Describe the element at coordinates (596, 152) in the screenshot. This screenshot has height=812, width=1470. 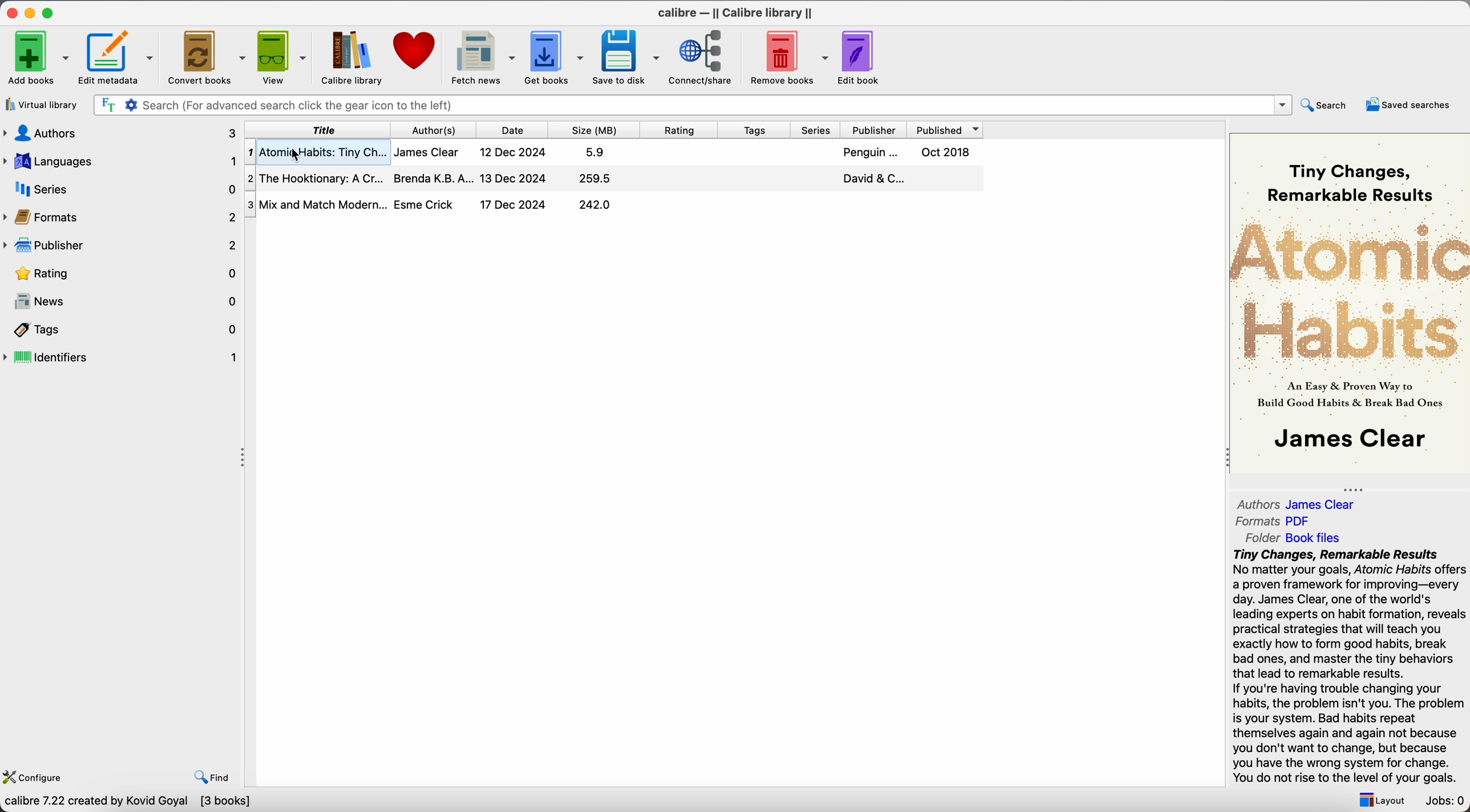
I see `5.9` at that location.